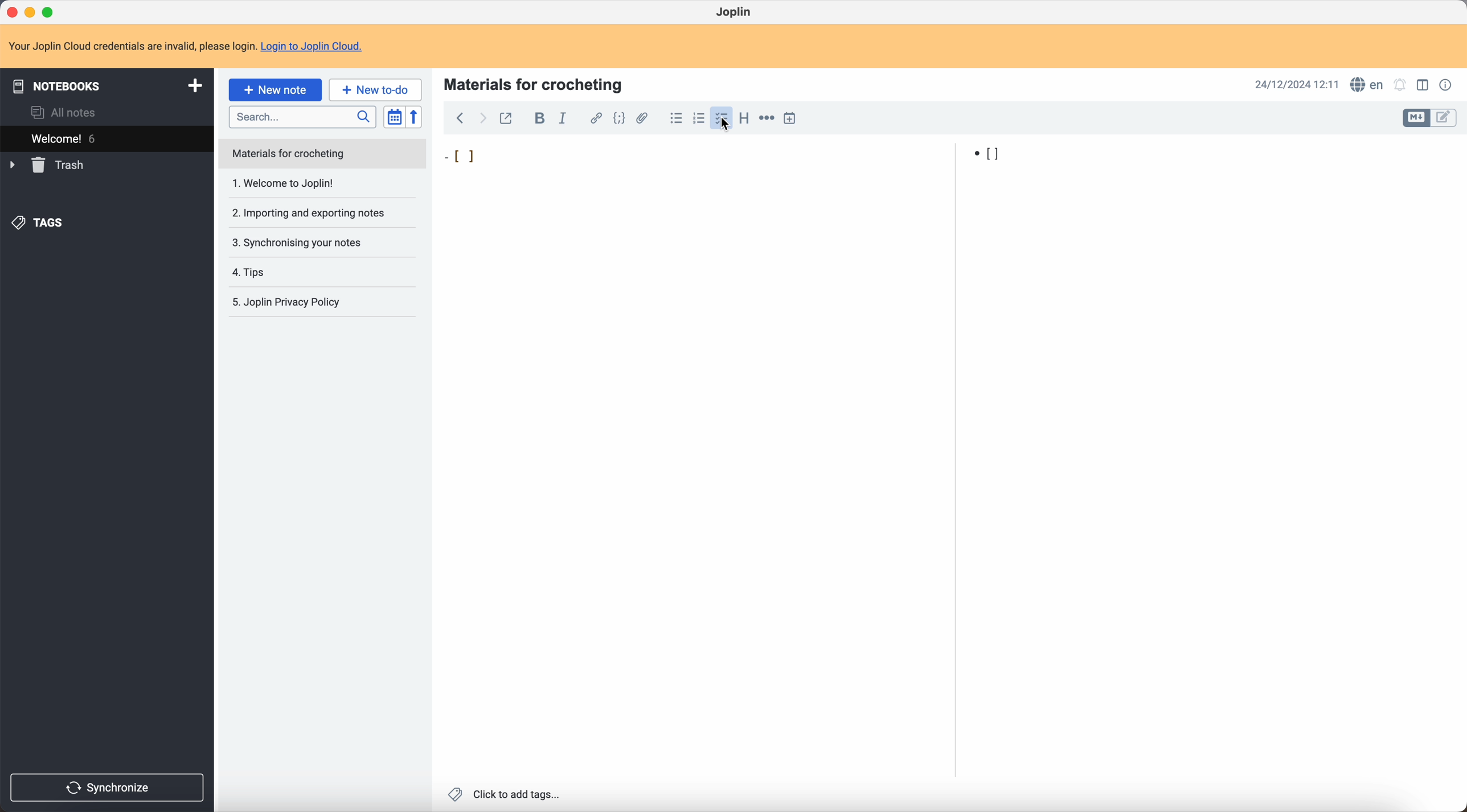 This screenshot has height=812, width=1467. I want to click on tips, so click(301, 272).